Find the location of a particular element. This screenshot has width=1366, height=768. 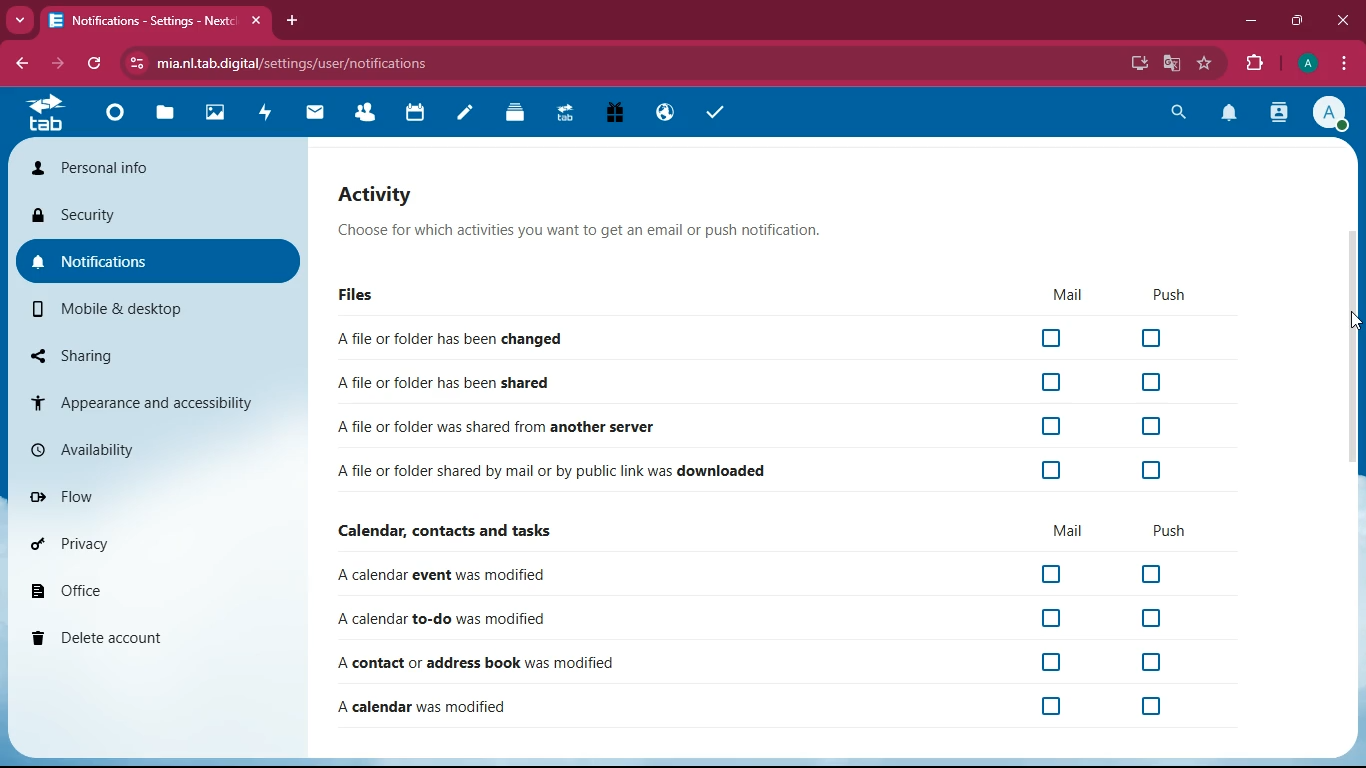

mail is located at coordinates (1068, 296).